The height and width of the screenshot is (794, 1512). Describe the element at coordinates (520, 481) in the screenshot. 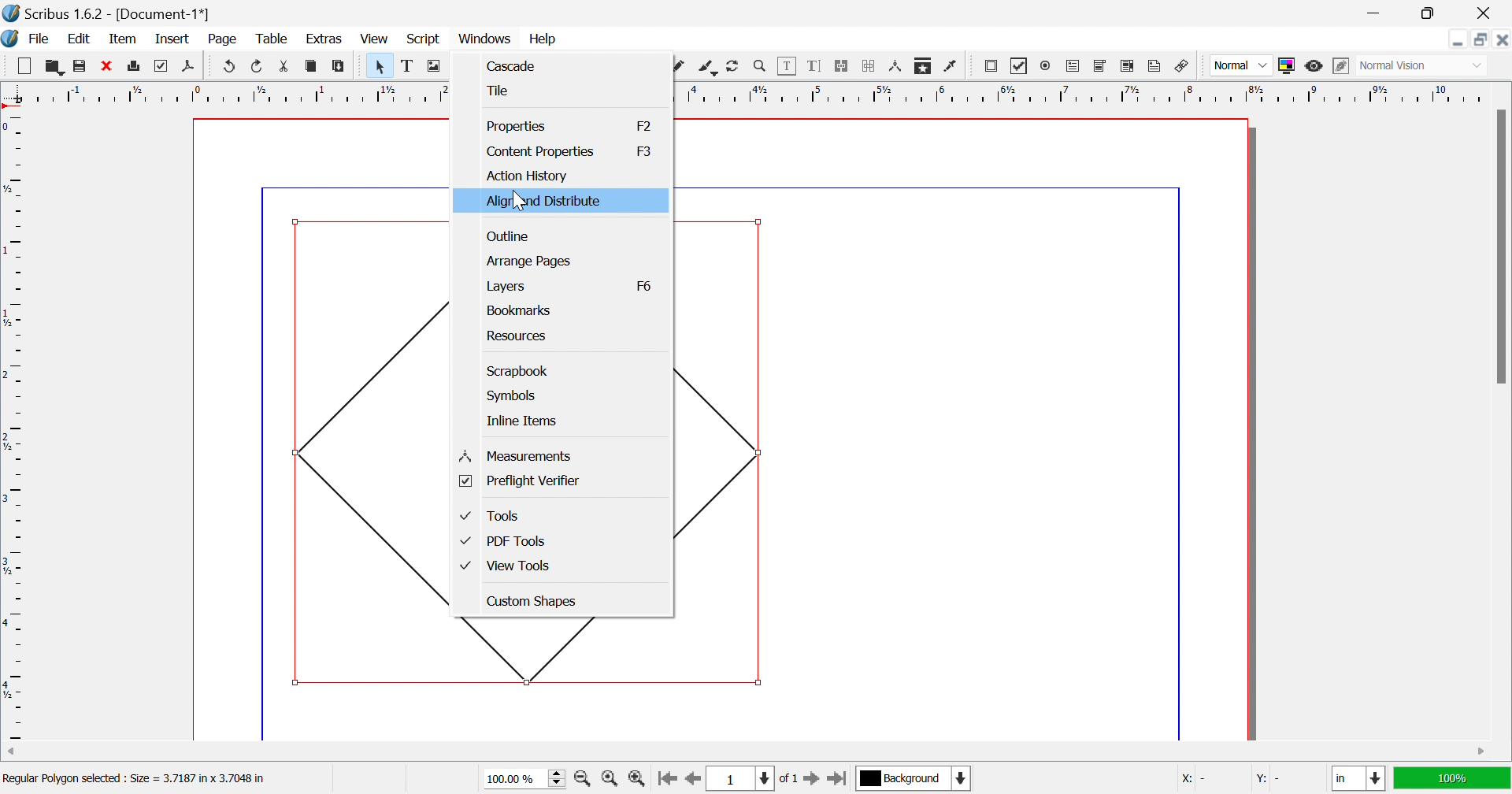

I see `Preflight verifier` at that location.